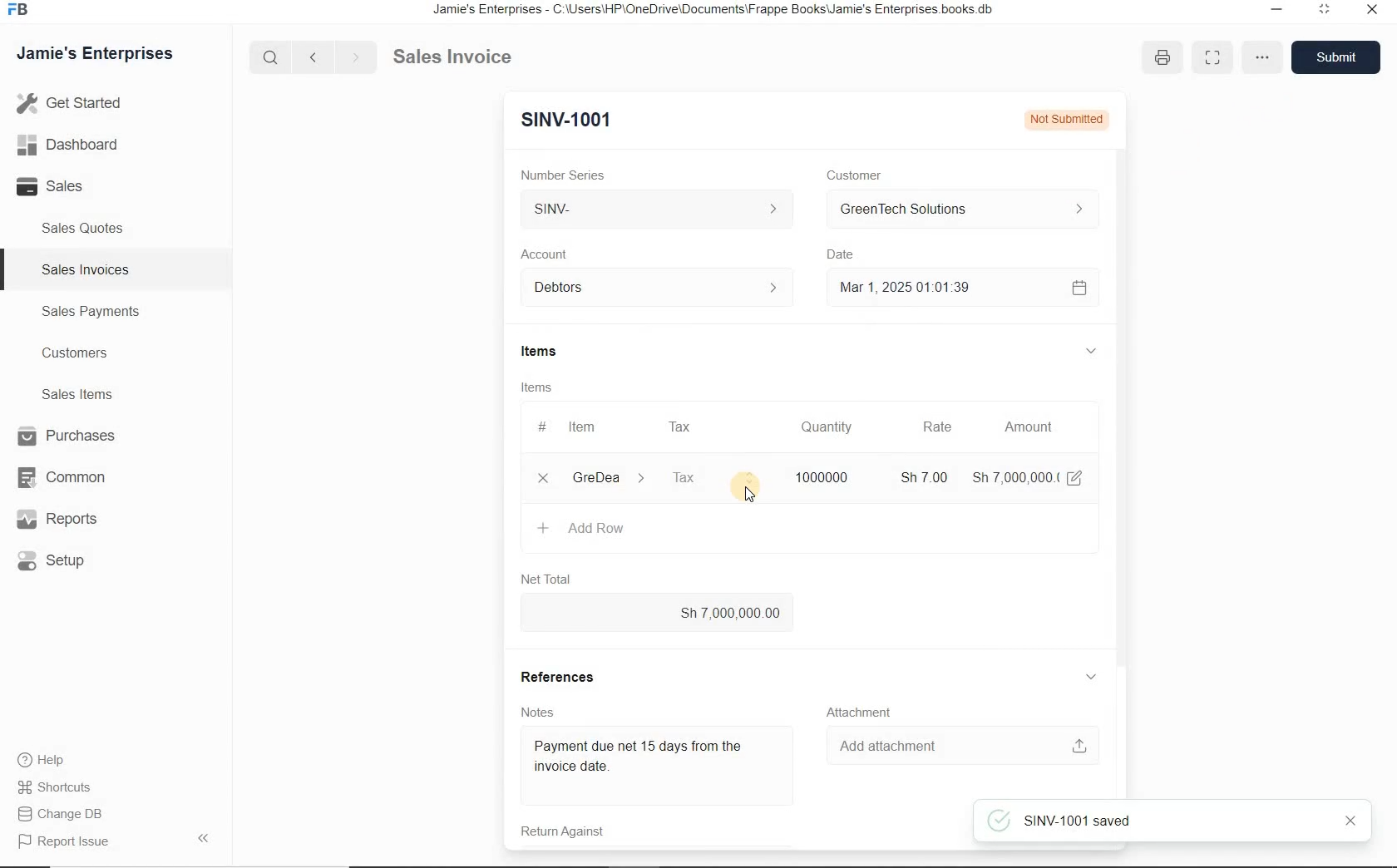  I want to click on Payment due net 15 days from the invoice date, so click(653, 760).